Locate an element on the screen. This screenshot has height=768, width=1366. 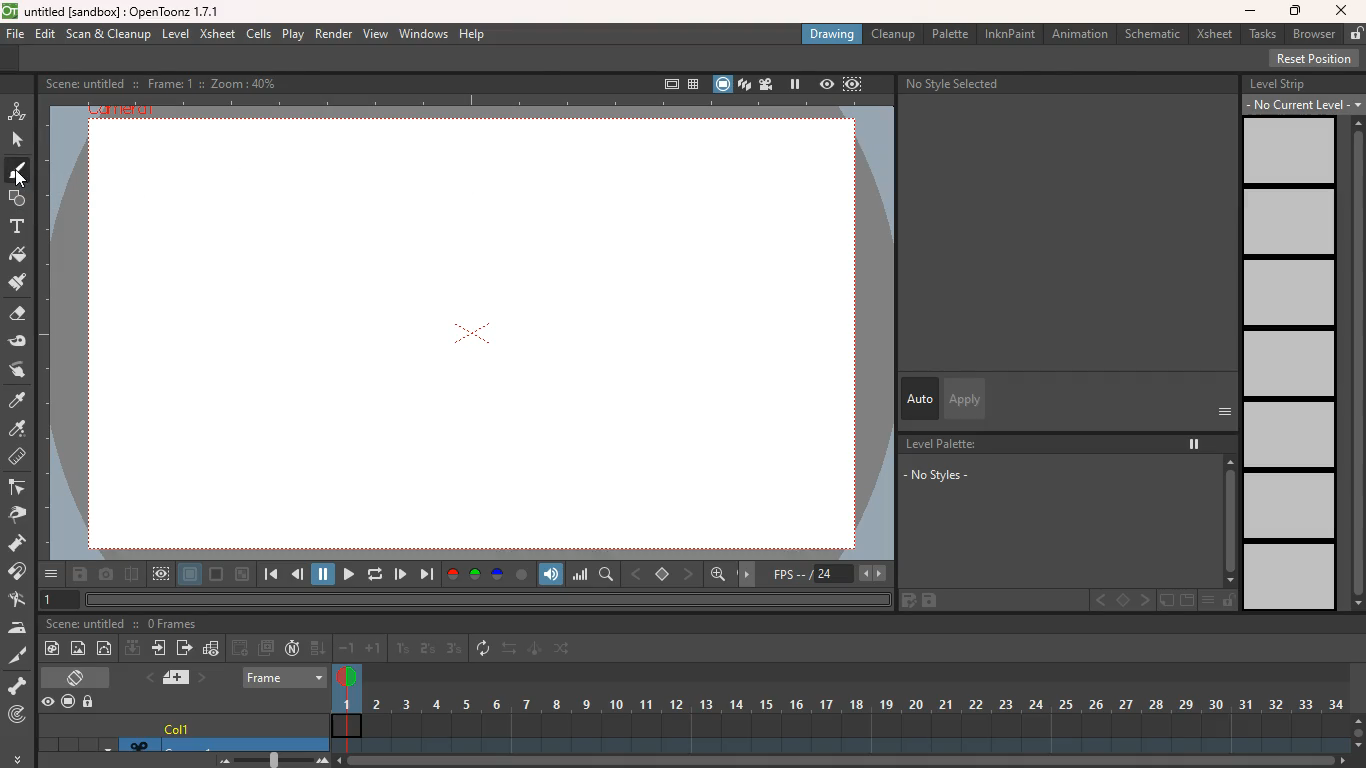
xsheet is located at coordinates (1214, 35).